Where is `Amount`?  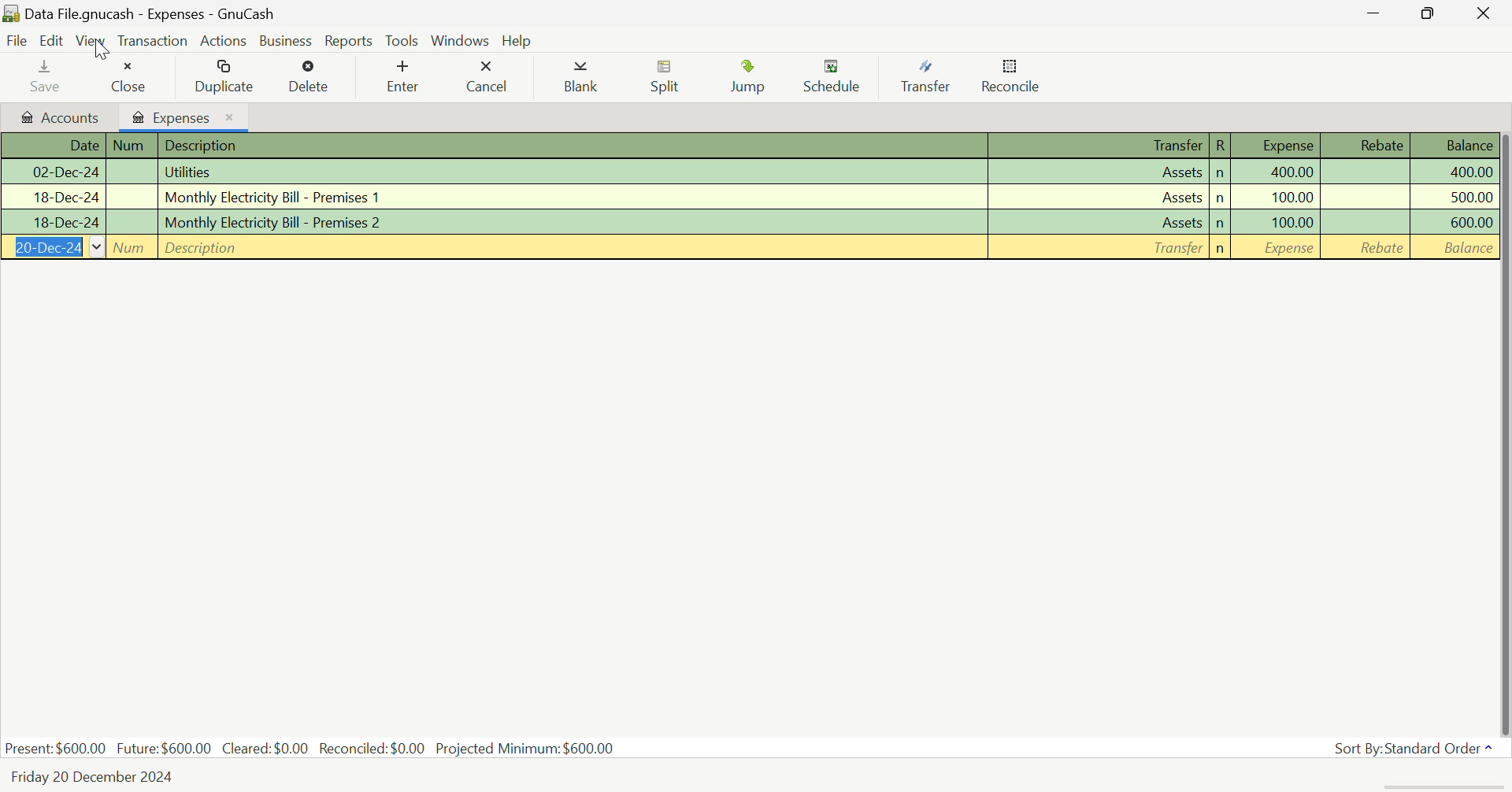 Amount is located at coordinates (1291, 198).